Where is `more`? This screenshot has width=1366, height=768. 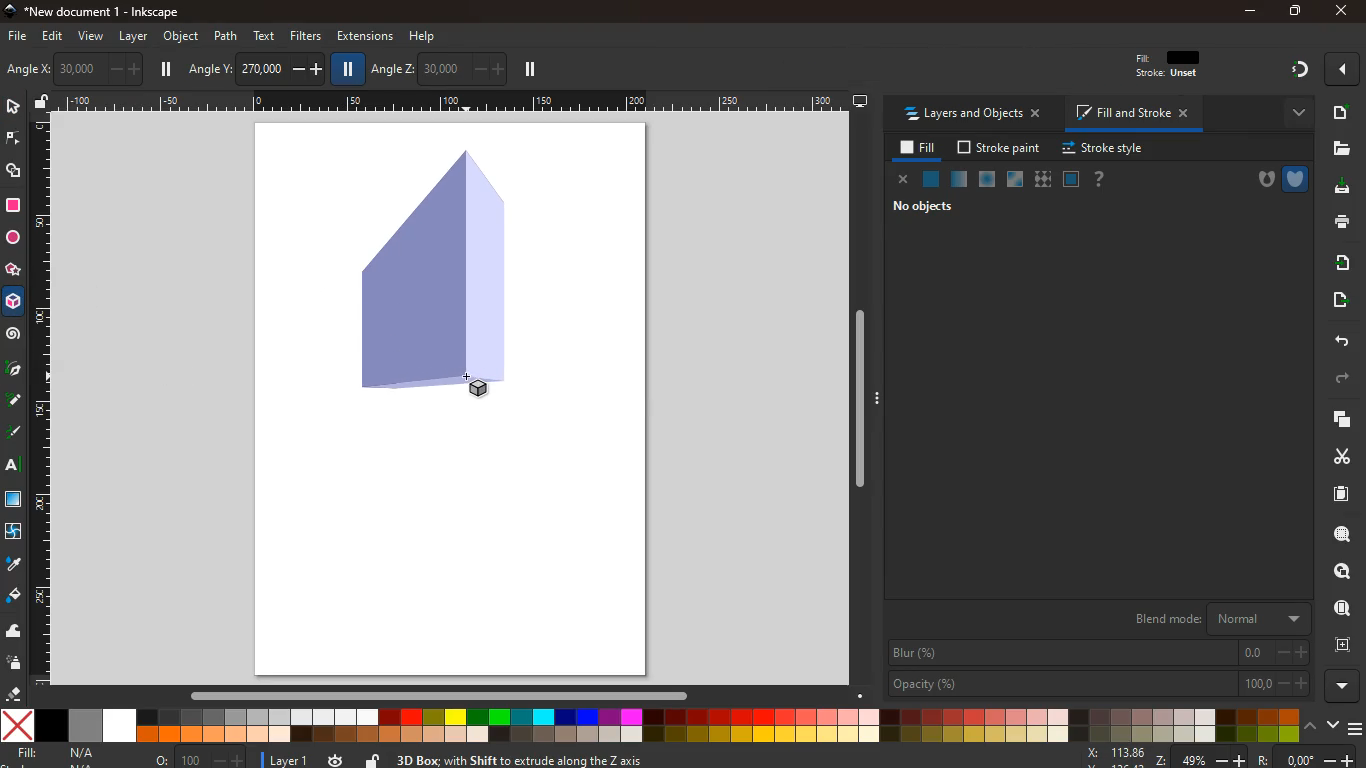
more is located at coordinates (1342, 69).